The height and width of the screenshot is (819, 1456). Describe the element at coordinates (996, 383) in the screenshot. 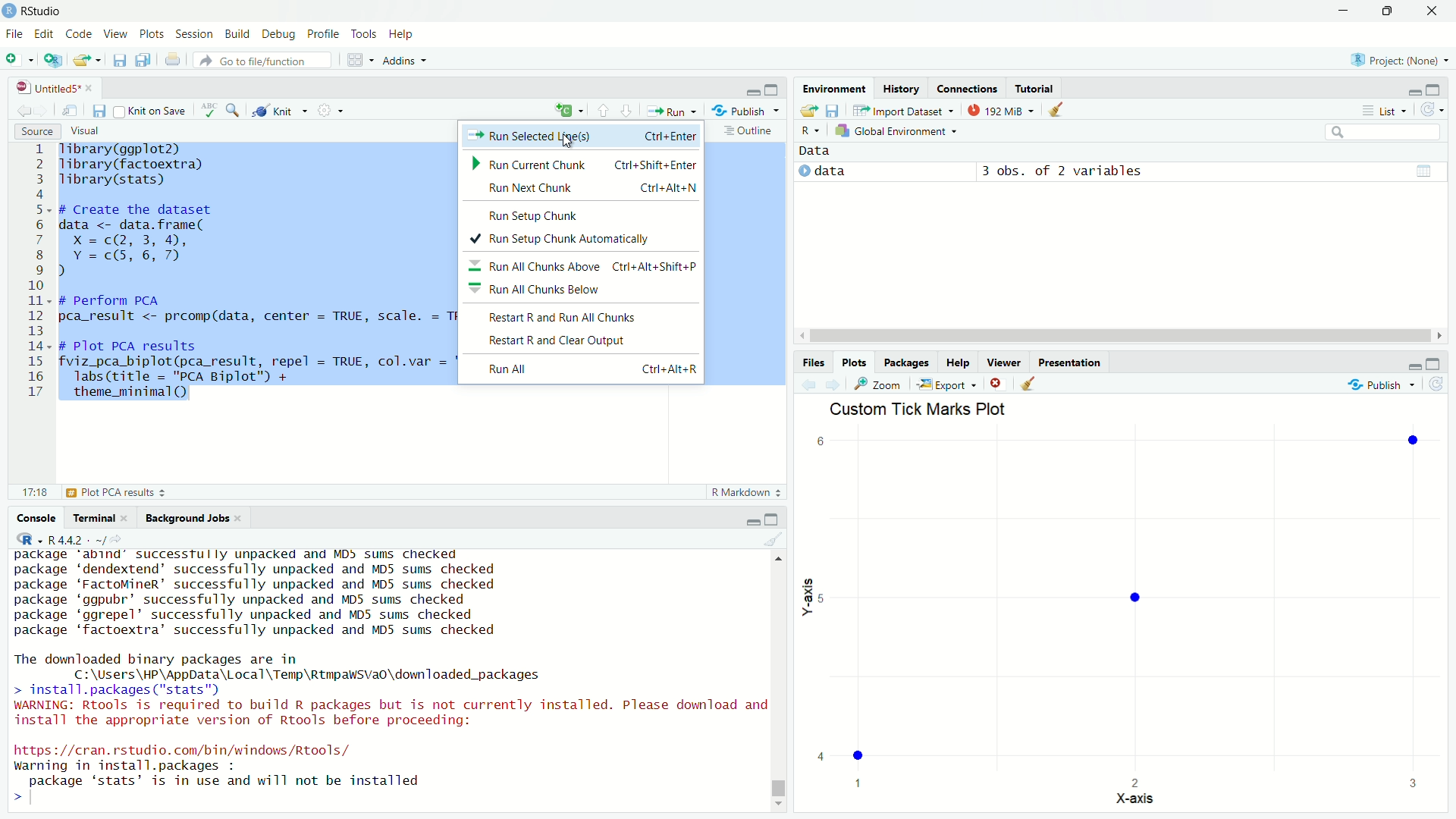

I see `remove the current plot` at that location.